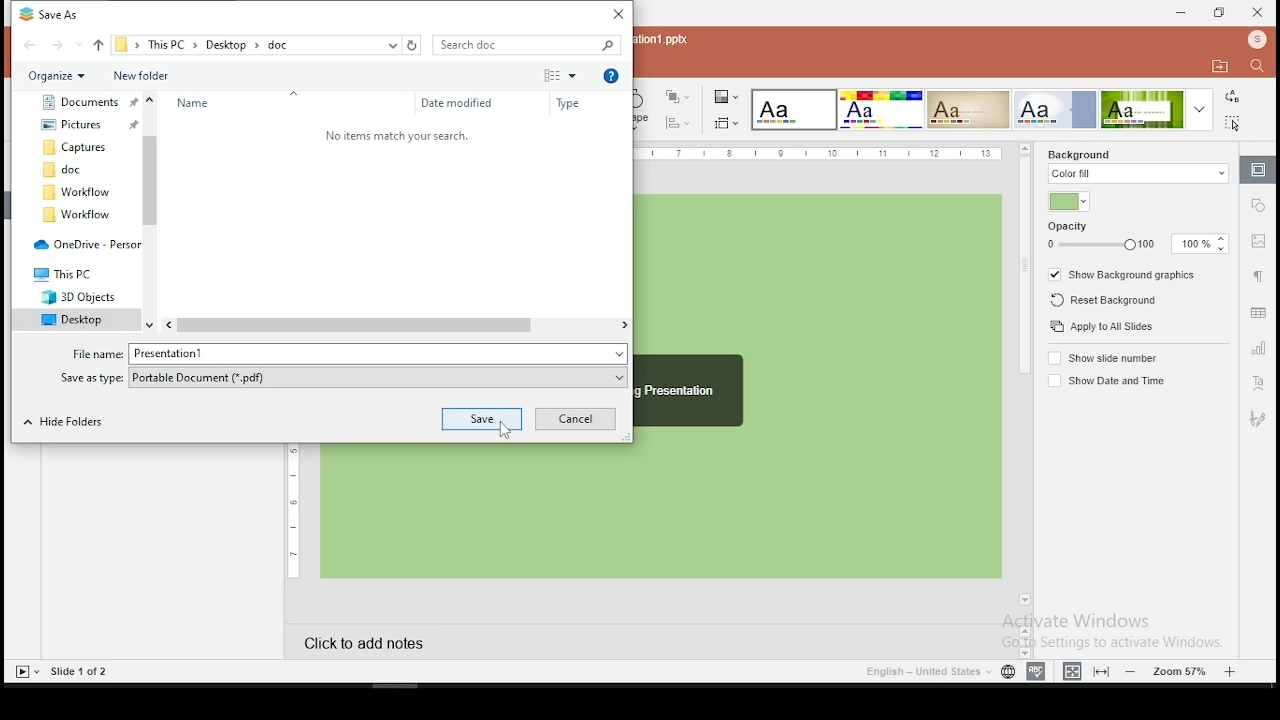 The height and width of the screenshot is (720, 1280). Describe the element at coordinates (505, 431) in the screenshot. I see `cursor` at that location.